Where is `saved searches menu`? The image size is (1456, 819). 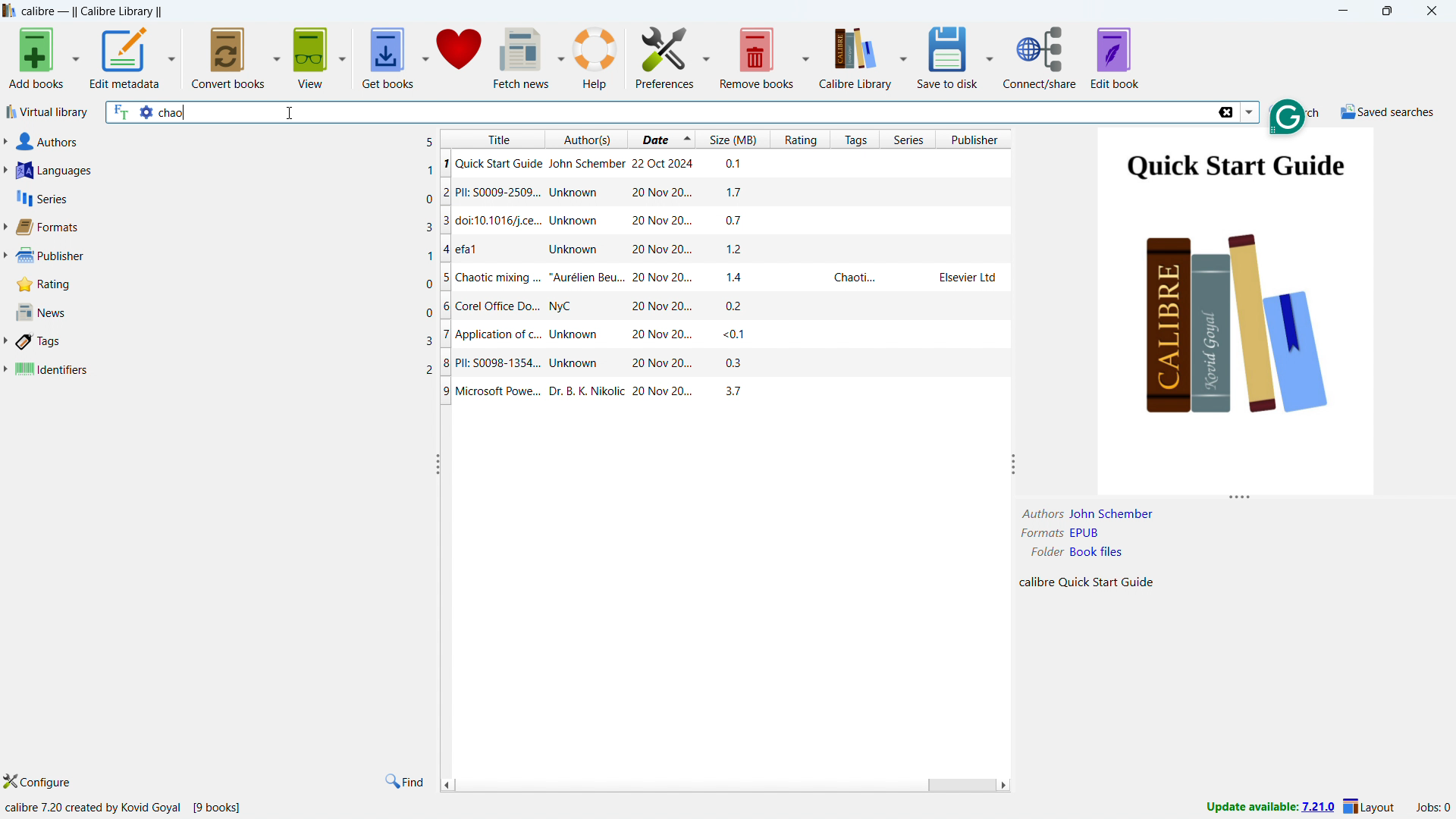 saved searches menu is located at coordinates (1388, 111).